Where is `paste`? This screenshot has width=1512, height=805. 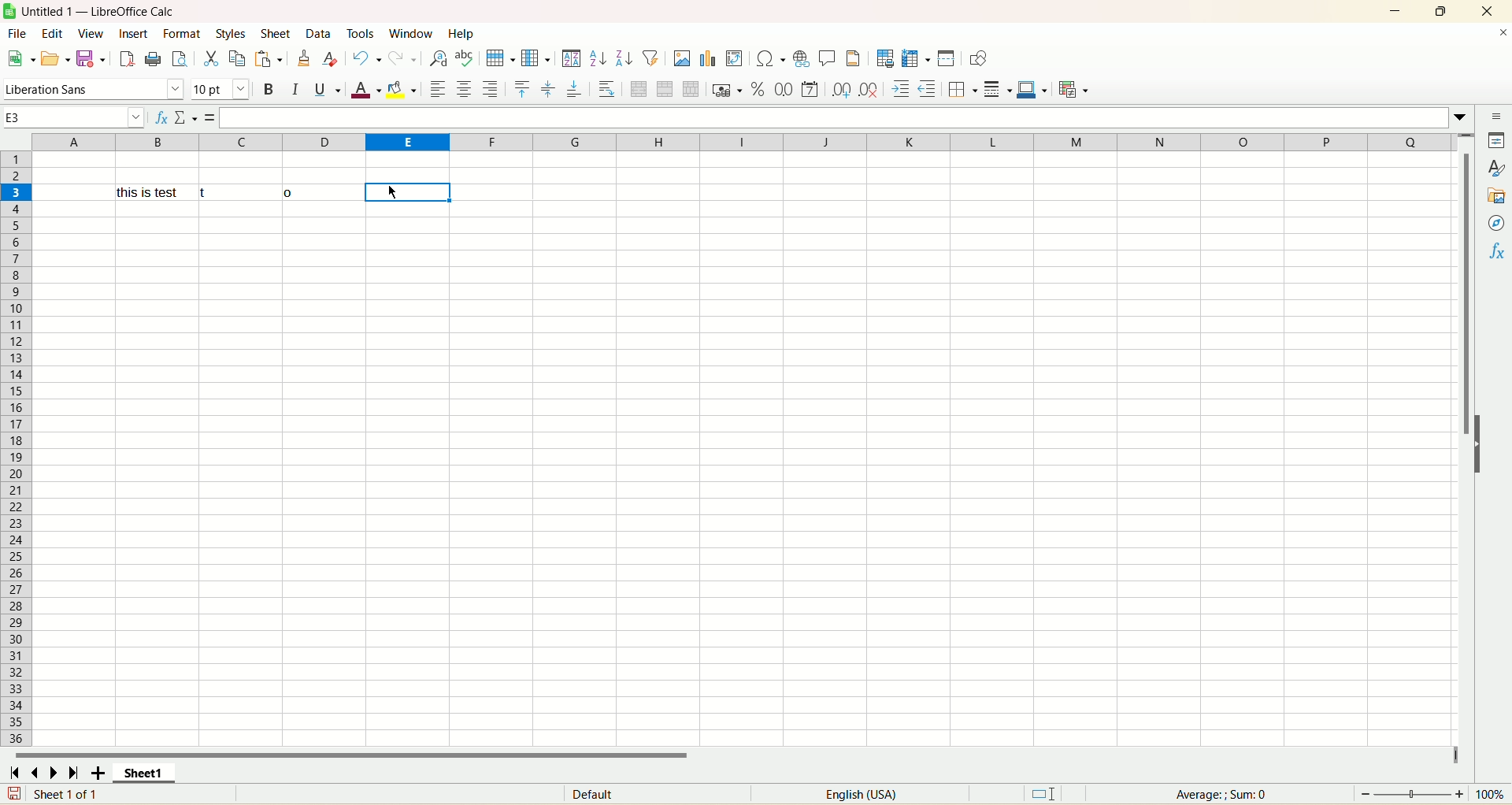
paste is located at coordinates (268, 58).